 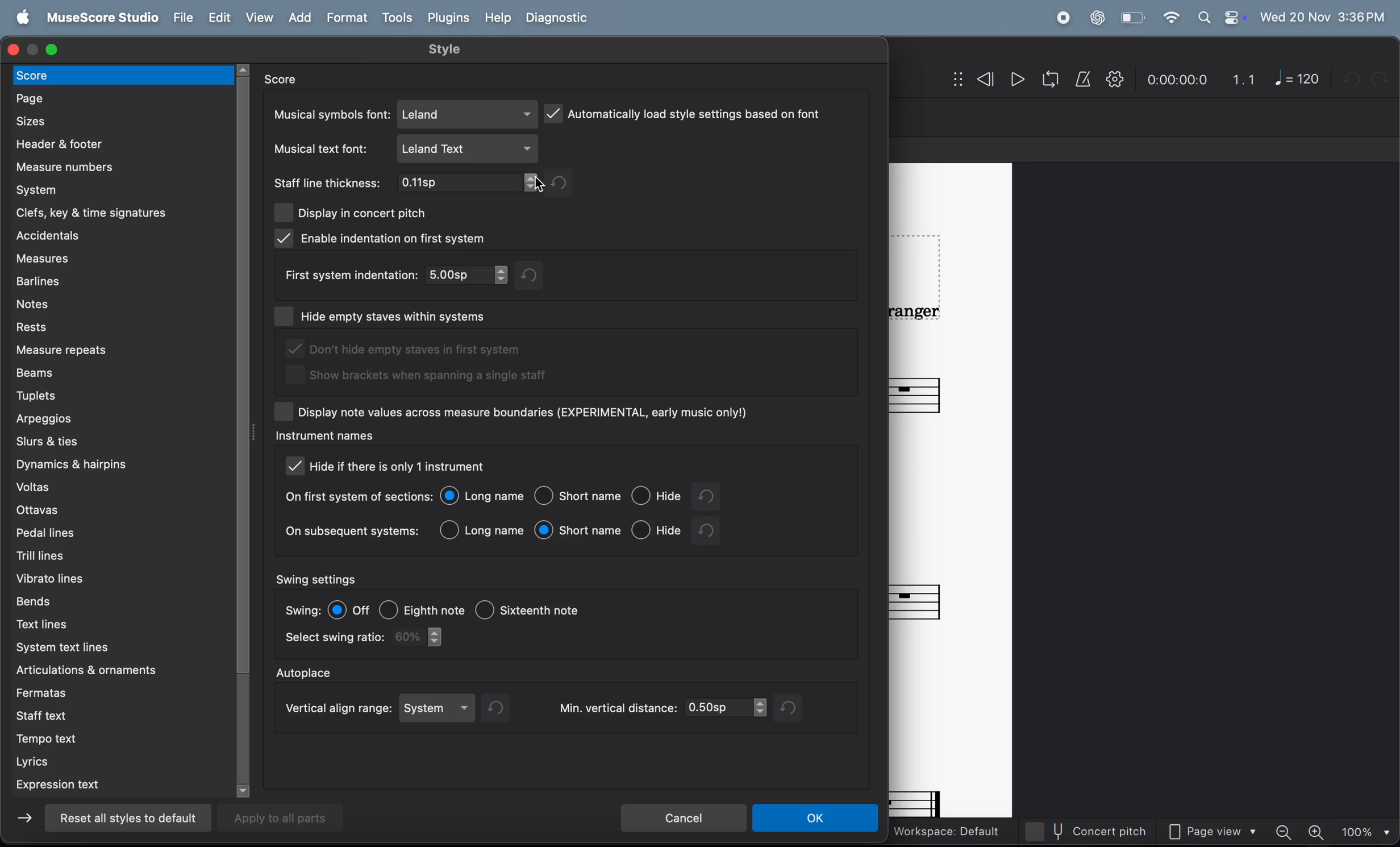 I want to click on 1.1, so click(x=1244, y=80).